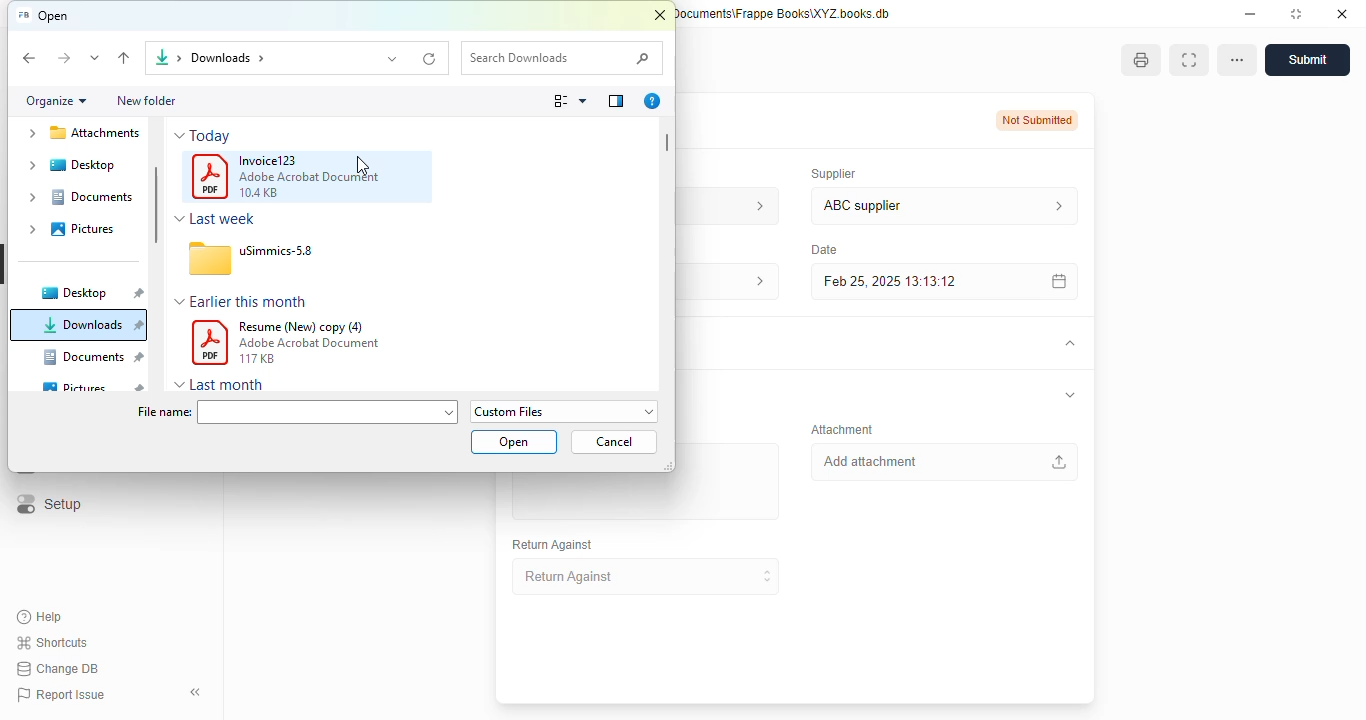 Image resolution: width=1366 pixels, height=720 pixels. Describe the element at coordinates (81, 229) in the screenshot. I see `pictures` at that location.